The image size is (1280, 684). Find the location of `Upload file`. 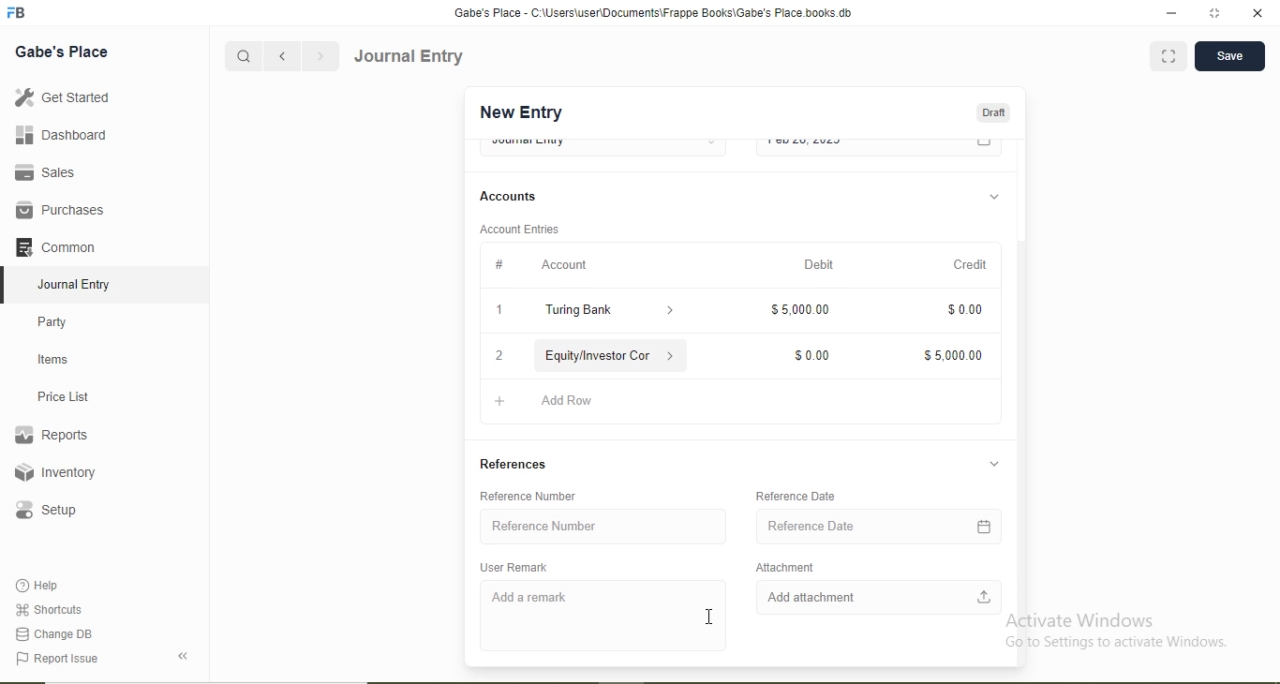

Upload file is located at coordinates (985, 596).